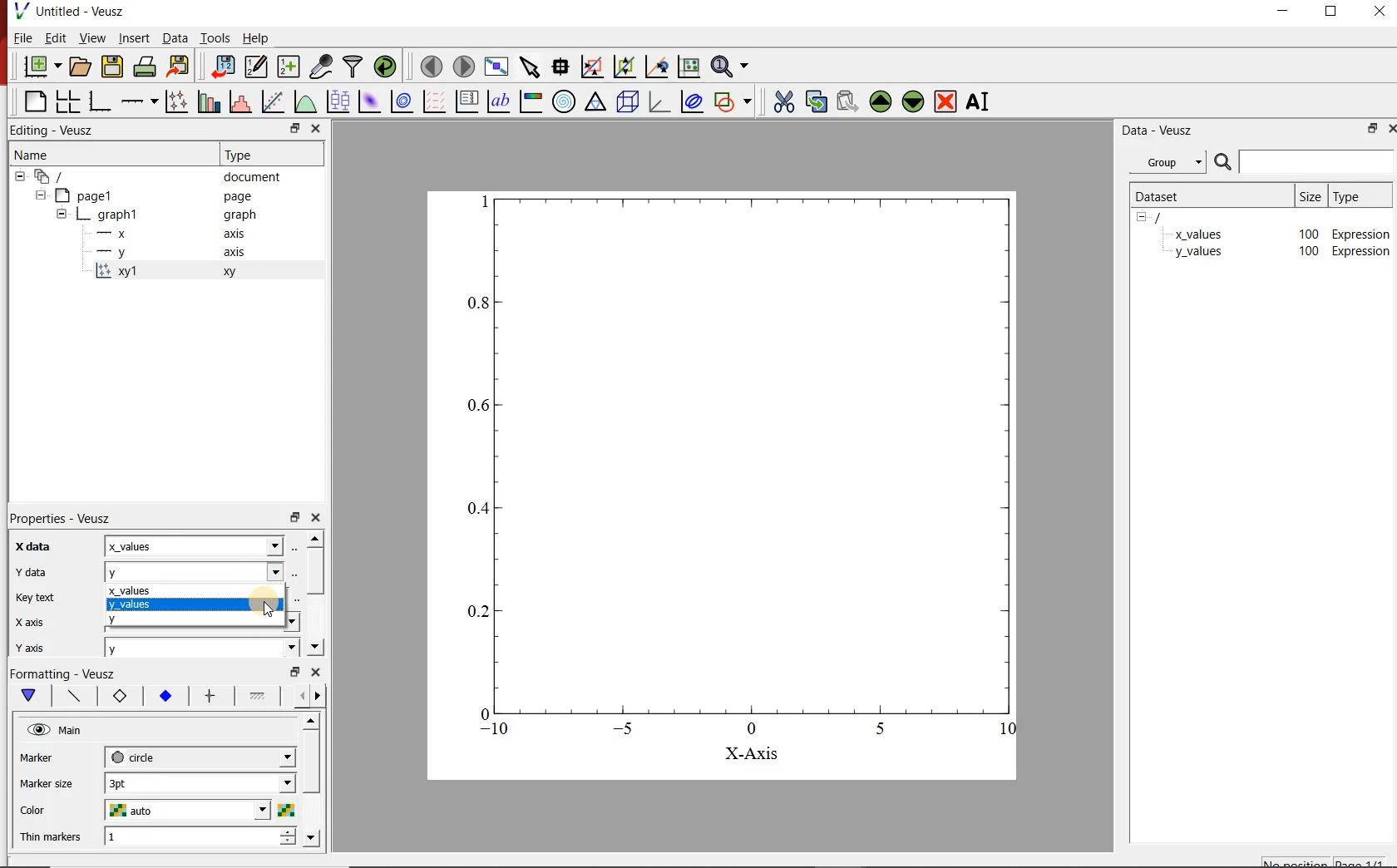 The image size is (1397, 868). What do you see at coordinates (57, 730) in the screenshot?
I see `hide main` at bounding box center [57, 730].